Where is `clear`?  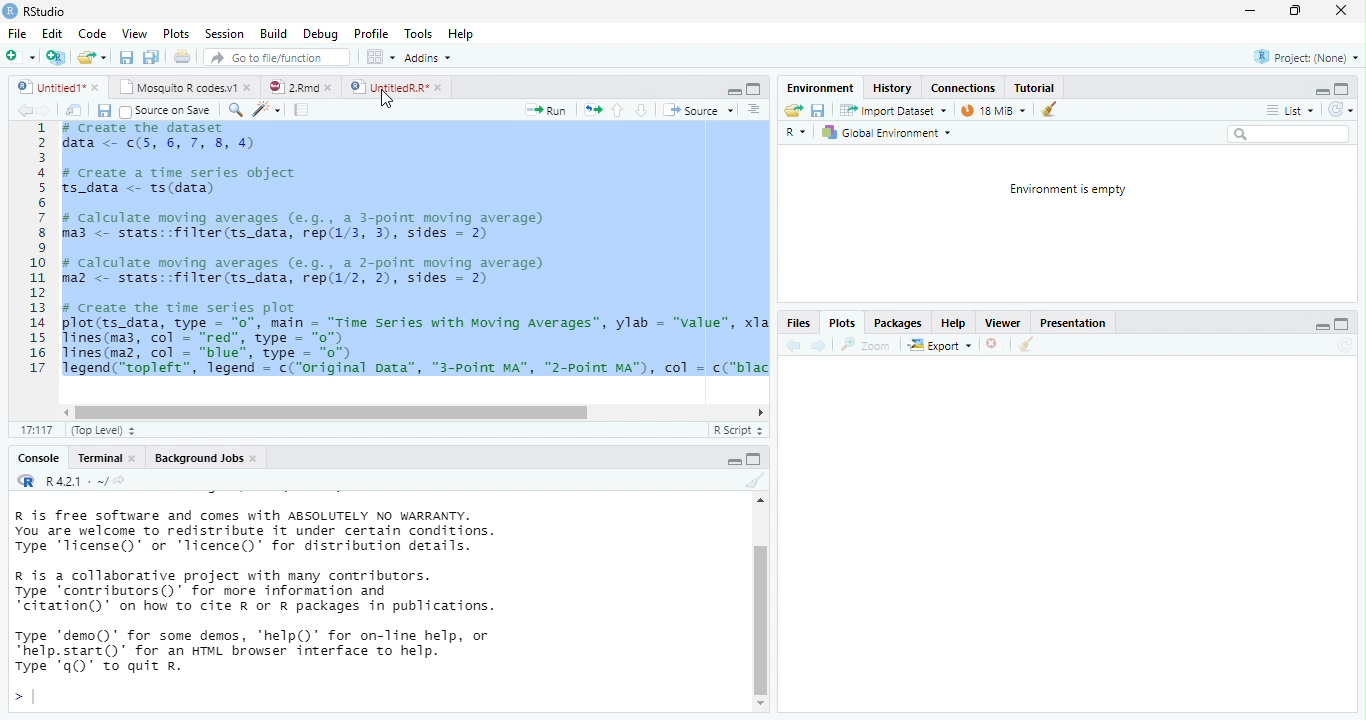 clear is located at coordinates (753, 481).